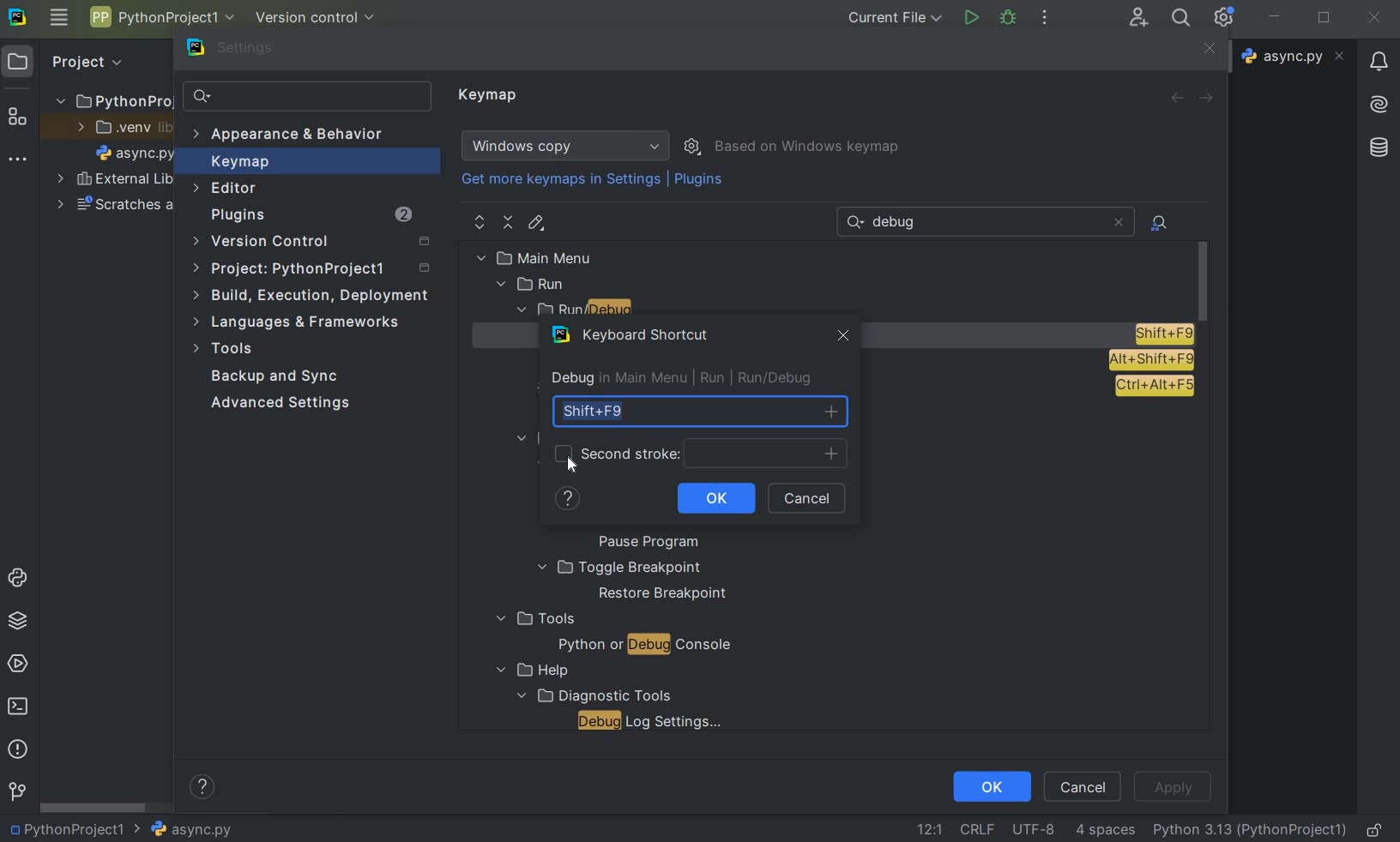 Image resolution: width=1400 pixels, height=842 pixels. I want to click on version control, so click(321, 19).